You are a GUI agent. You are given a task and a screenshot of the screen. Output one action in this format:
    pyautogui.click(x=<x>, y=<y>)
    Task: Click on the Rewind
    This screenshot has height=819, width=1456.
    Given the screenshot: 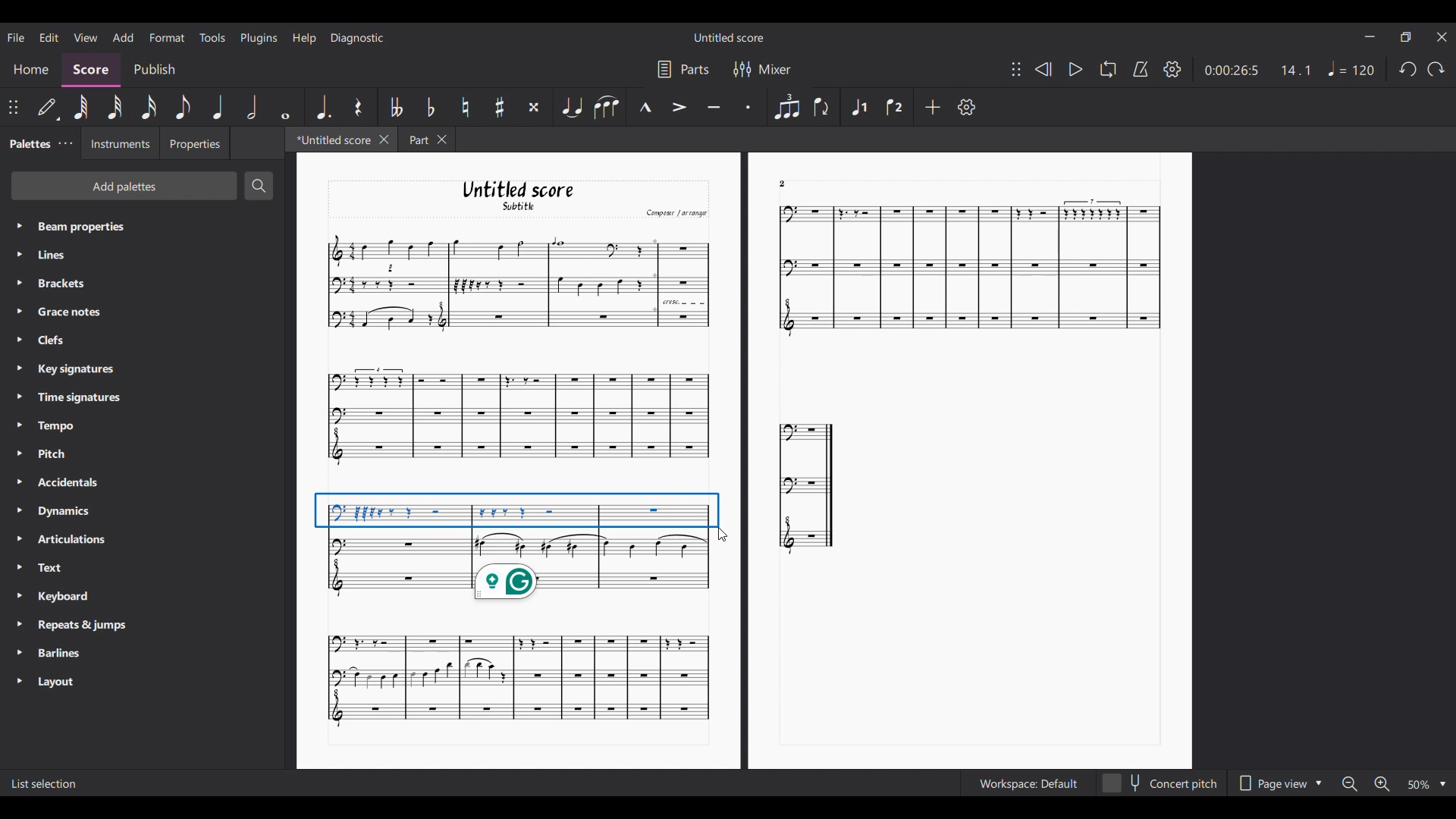 What is the action you would take?
    pyautogui.click(x=1042, y=69)
    